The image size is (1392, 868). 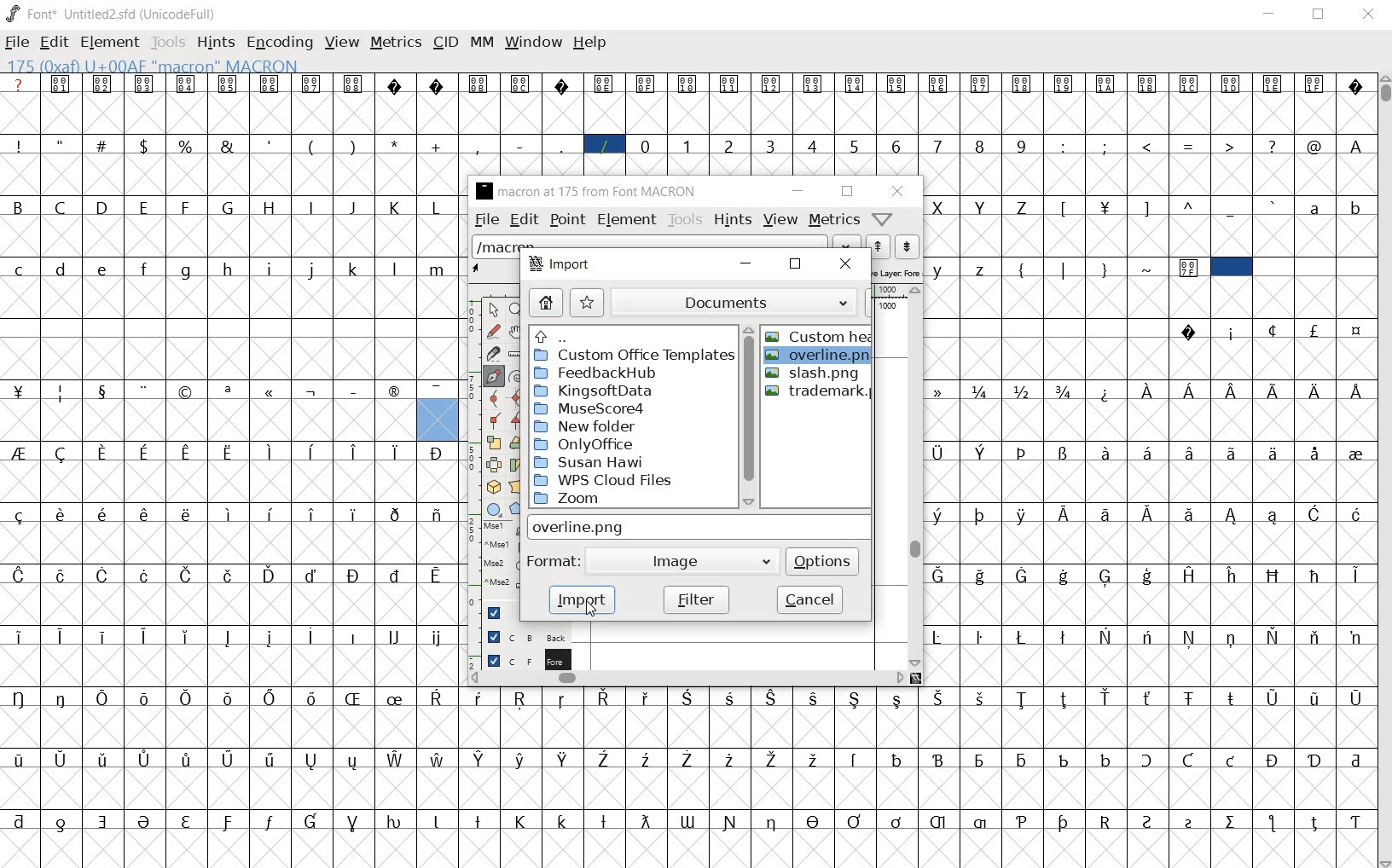 What do you see at coordinates (396, 144) in the screenshot?
I see `*` at bounding box center [396, 144].